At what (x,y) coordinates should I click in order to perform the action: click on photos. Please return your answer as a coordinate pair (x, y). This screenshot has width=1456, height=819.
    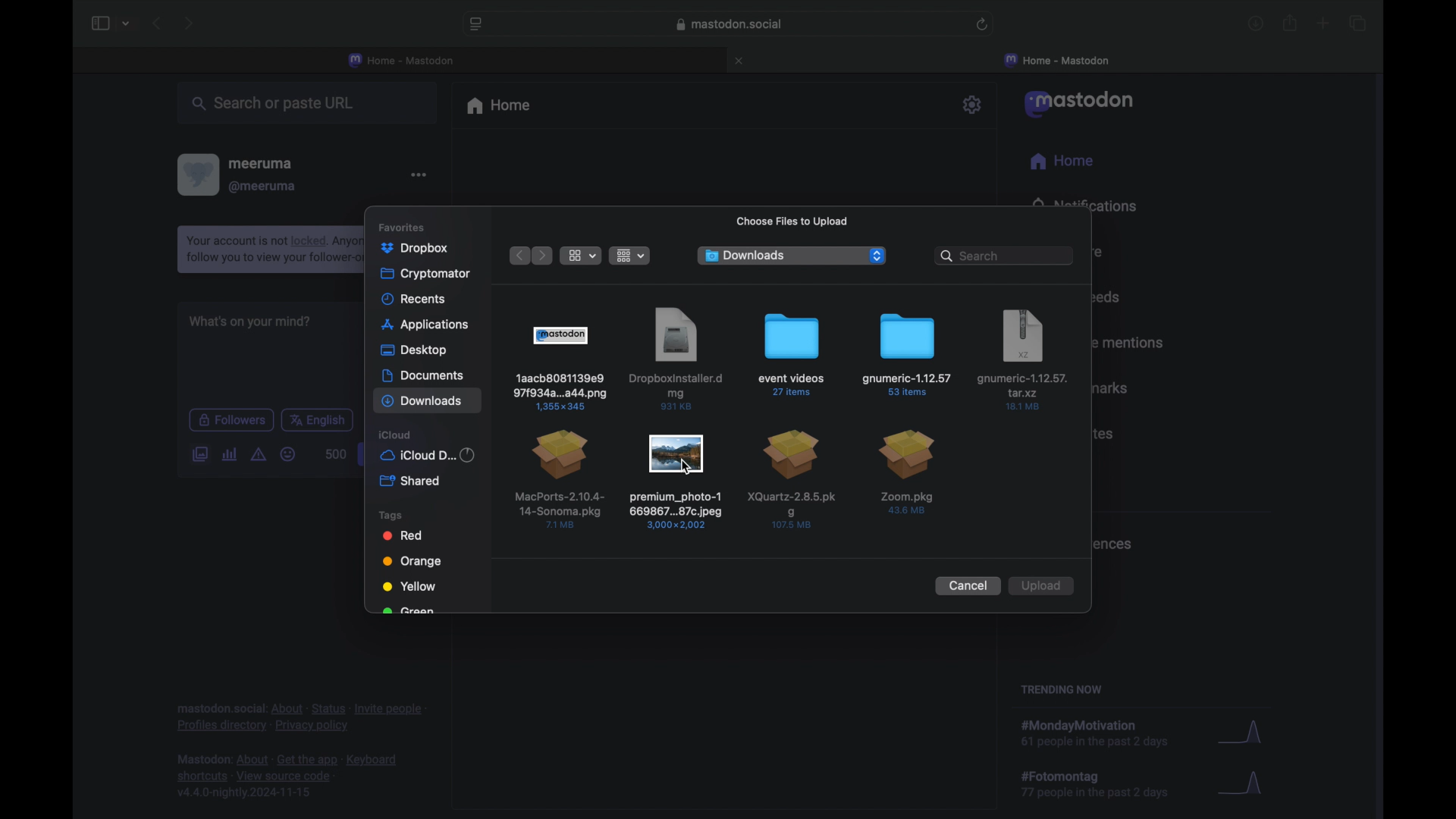
    Looking at the image, I should click on (419, 248).